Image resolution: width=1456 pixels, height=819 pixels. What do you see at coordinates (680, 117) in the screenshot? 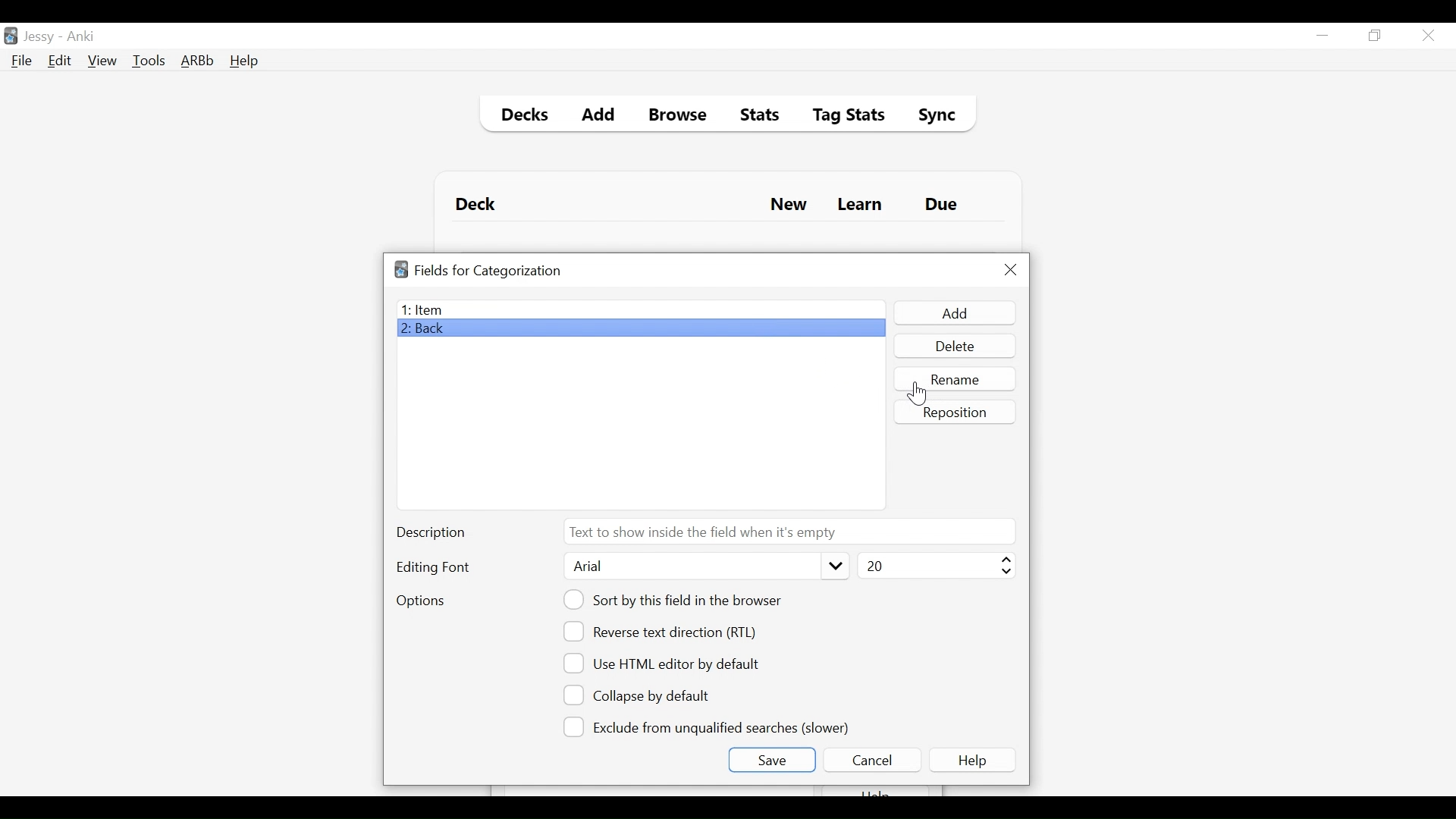
I see `Browse` at bounding box center [680, 117].